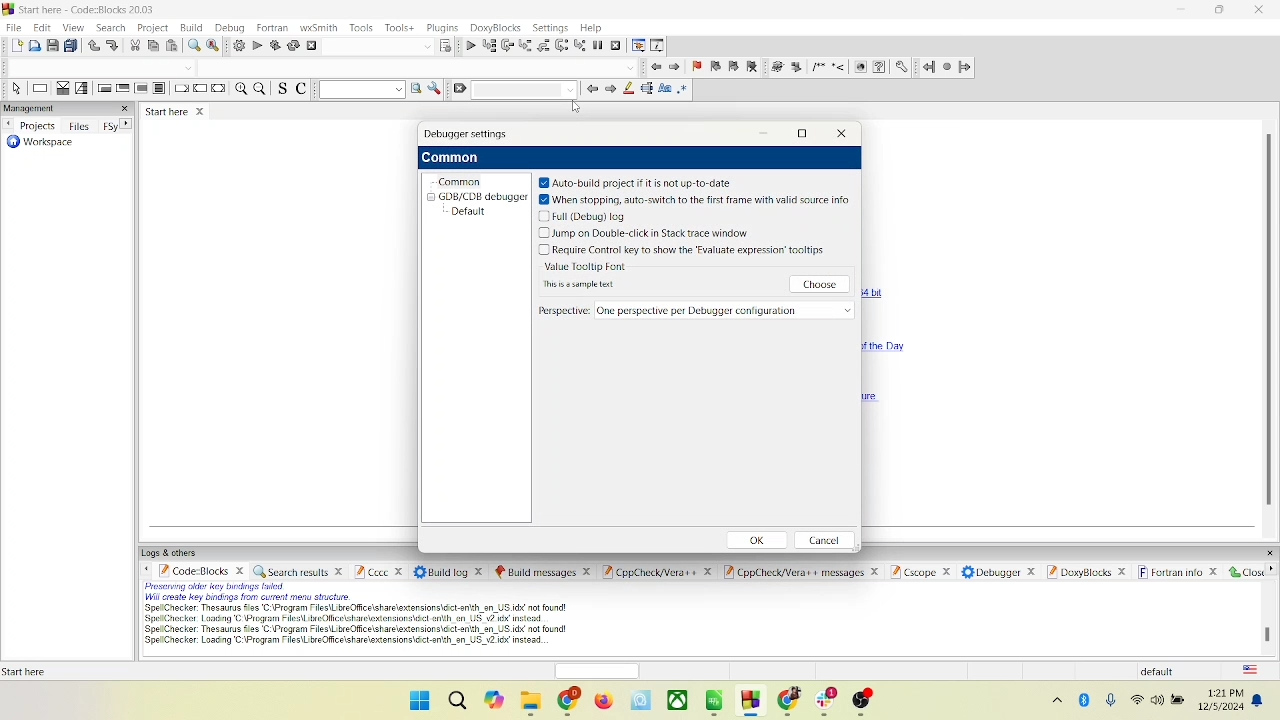 Image resolution: width=1280 pixels, height=720 pixels. Describe the element at coordinates (200, 572) in the screenshot. I see `code block` at that location.